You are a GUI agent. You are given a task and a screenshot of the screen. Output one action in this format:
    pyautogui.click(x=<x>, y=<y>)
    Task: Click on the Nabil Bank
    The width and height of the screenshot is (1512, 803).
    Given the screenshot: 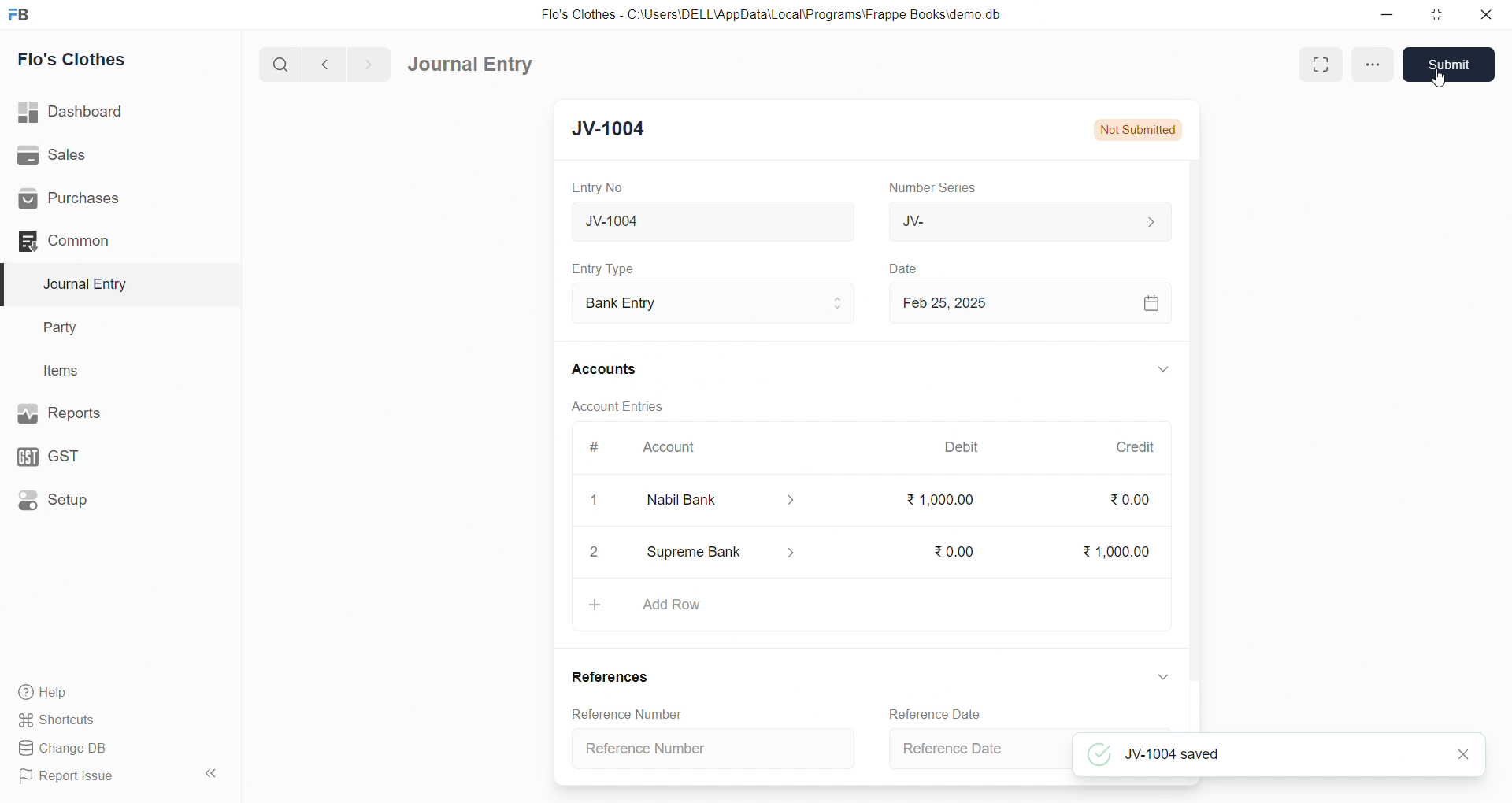 What is the action you would take?
    pyautogui.click(x=713, y=500)
    